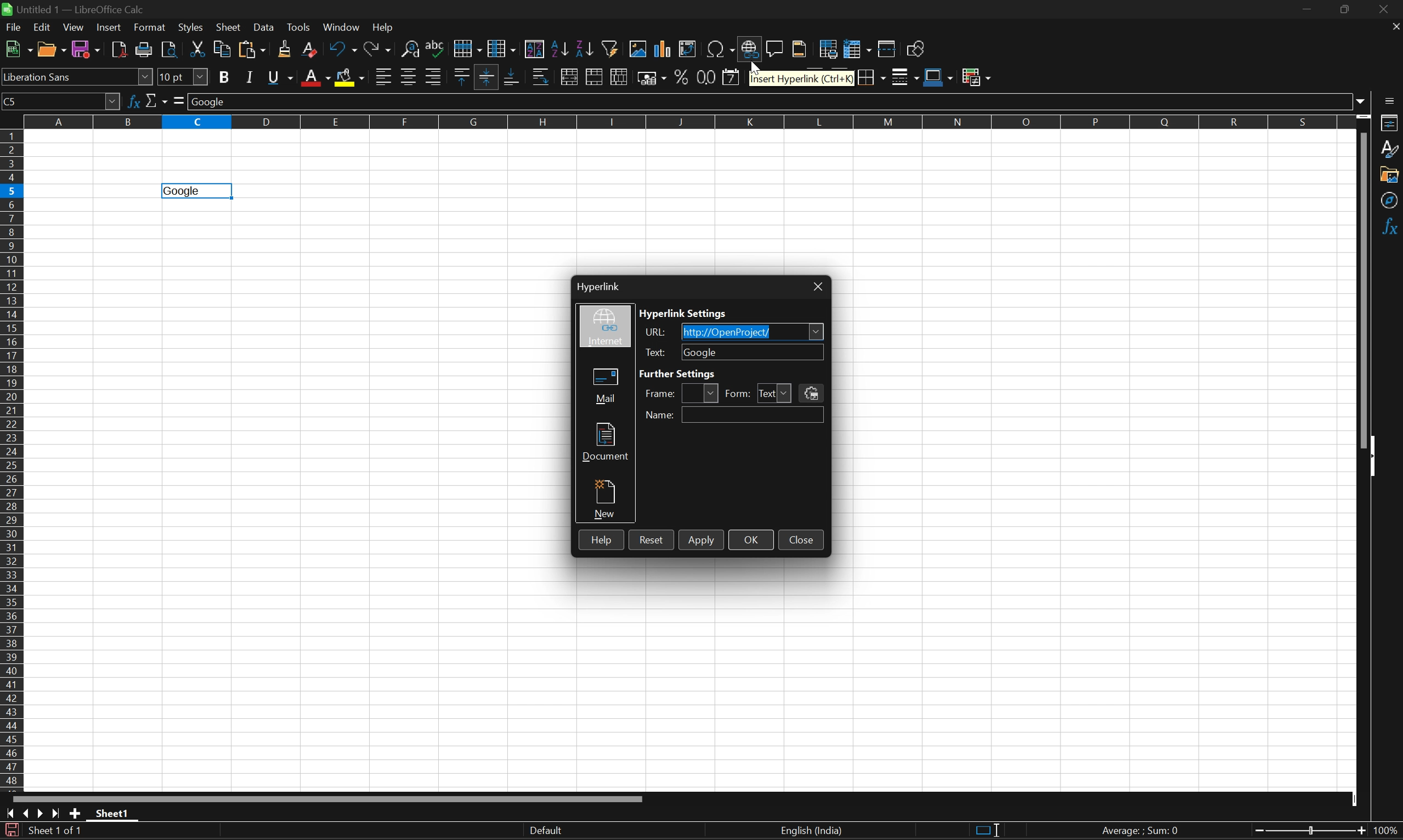 The image size is (1403, 840). What do you see at coordinates (184, 75) in the screenshot?
I see `Font size` at bounding box center [184, 75].